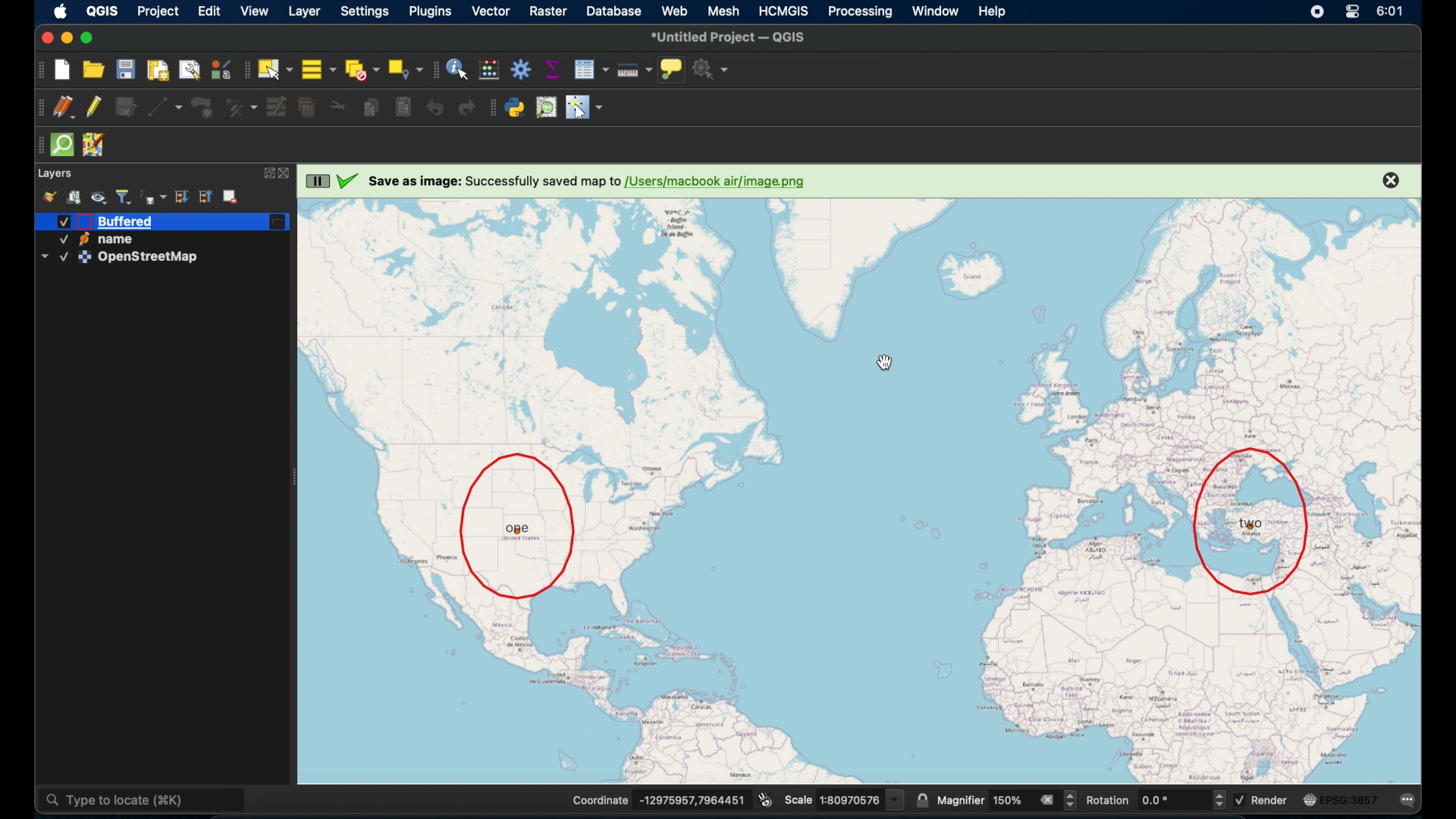  What do you see at coordinates (549, 11) in the screenshot?
I see `raster` at bounding box center [549, 11].